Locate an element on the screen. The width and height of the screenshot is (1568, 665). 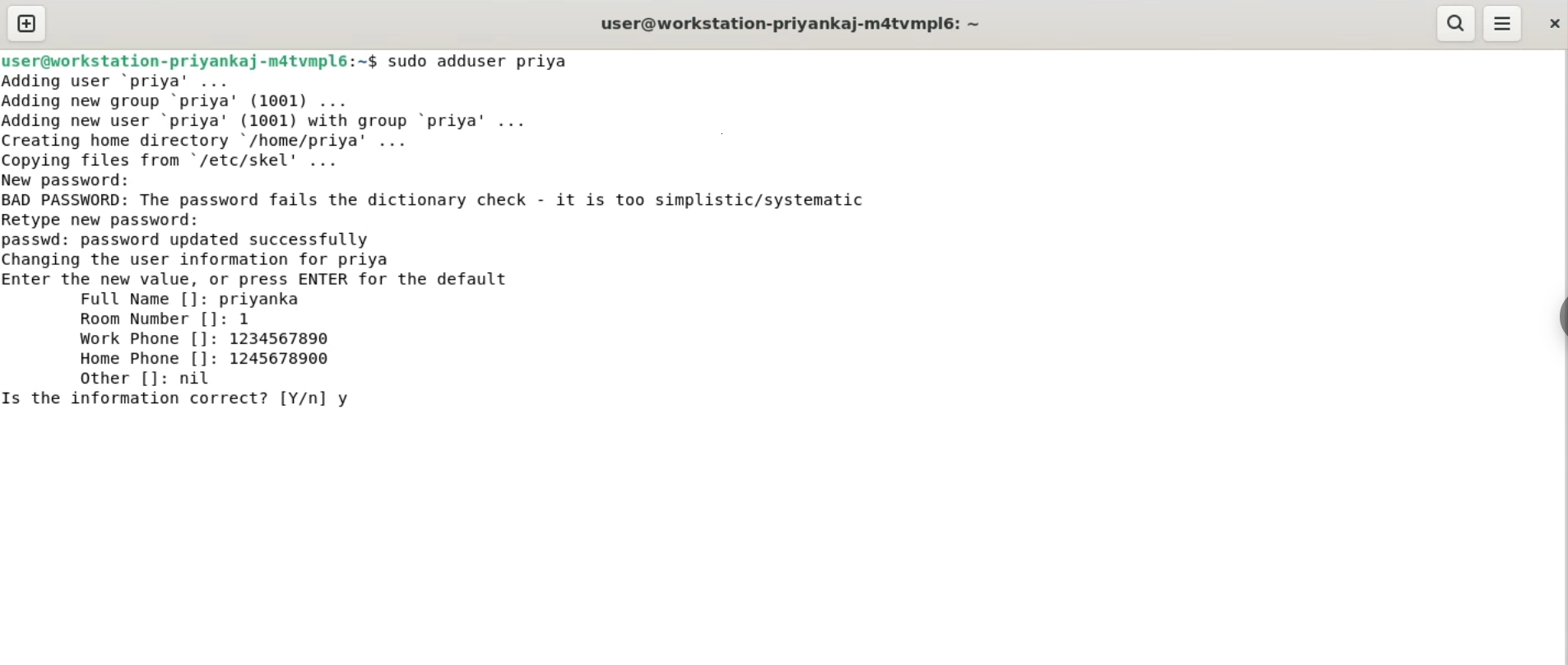
search is located at coordinates (1454, 23).